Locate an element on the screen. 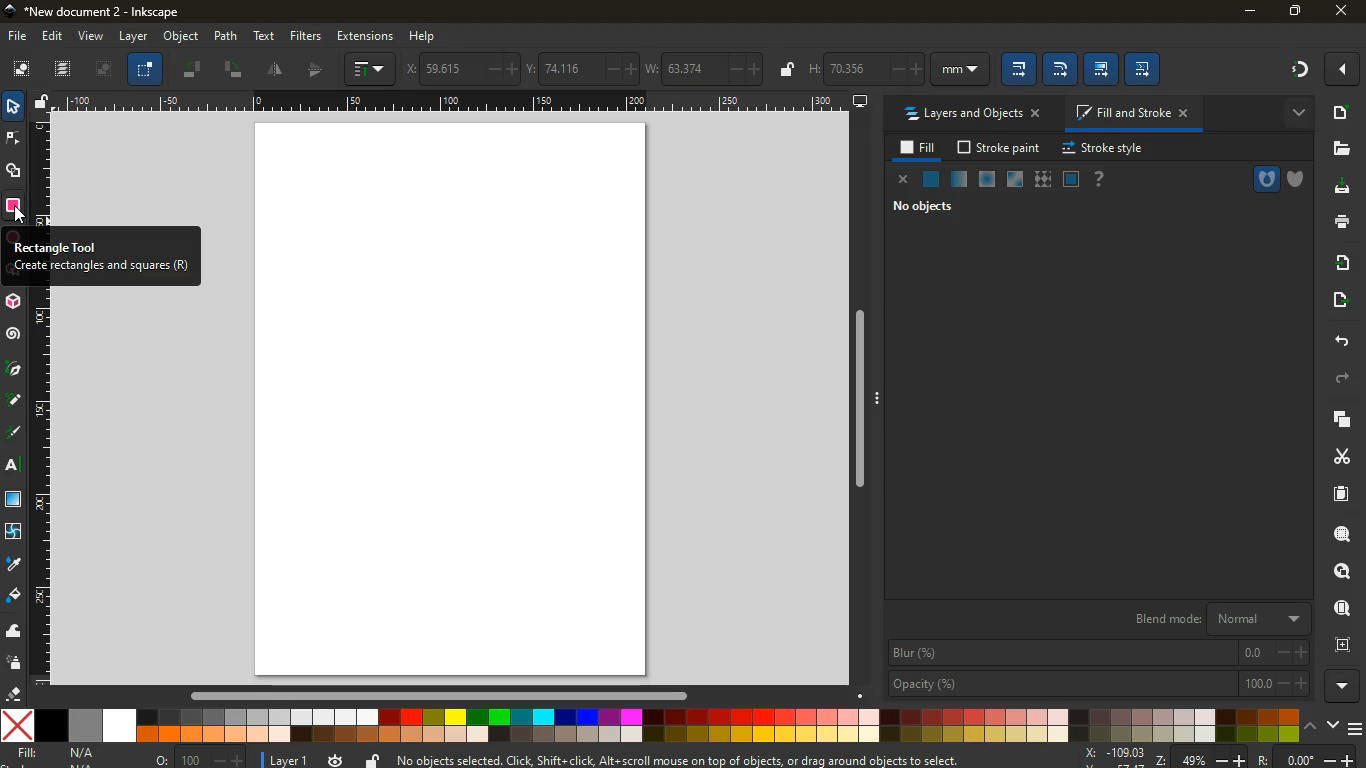  ice is located at coordinates (987, 178).